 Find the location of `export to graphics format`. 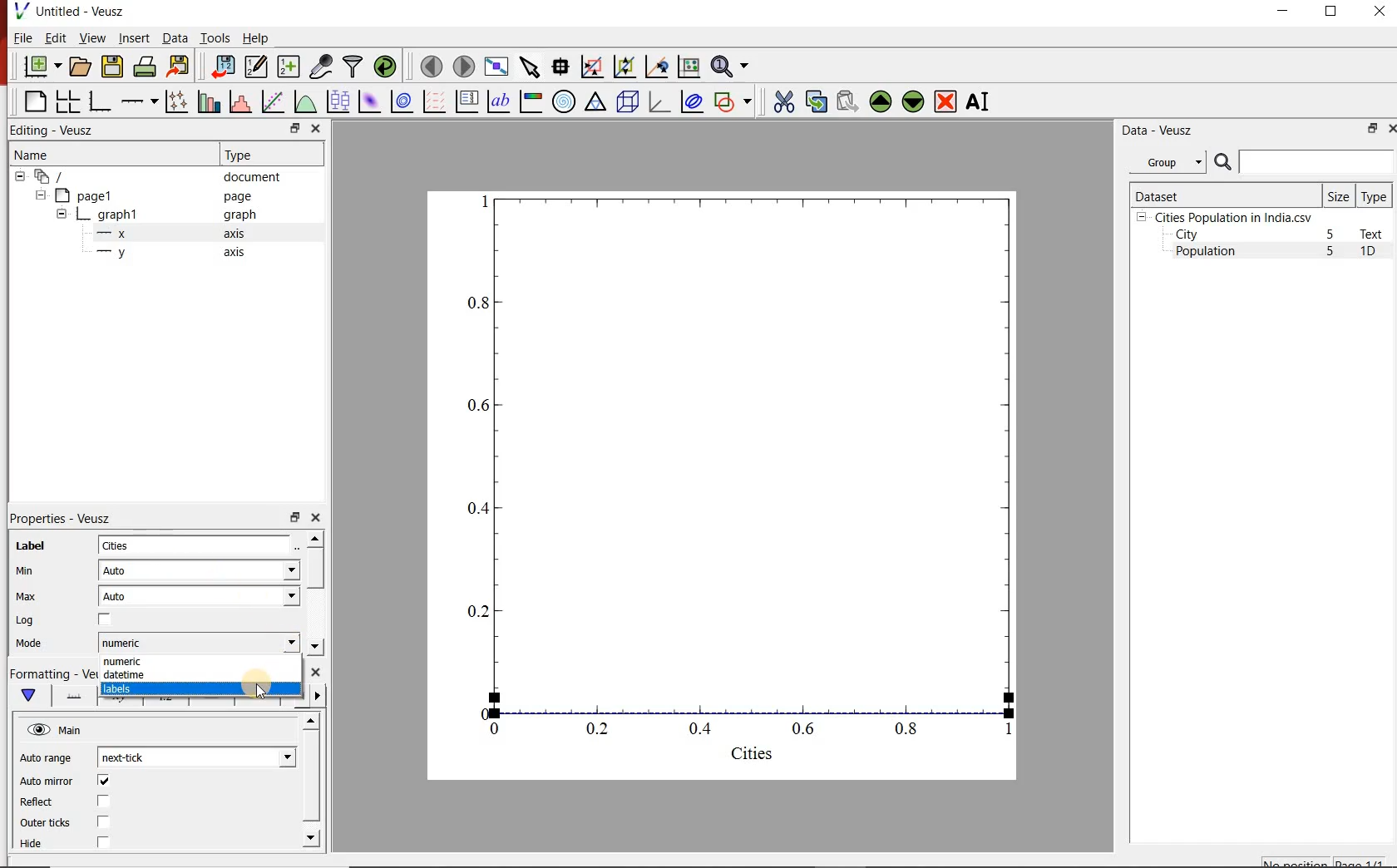

export to graphics format is located at coordinates (179, 67).